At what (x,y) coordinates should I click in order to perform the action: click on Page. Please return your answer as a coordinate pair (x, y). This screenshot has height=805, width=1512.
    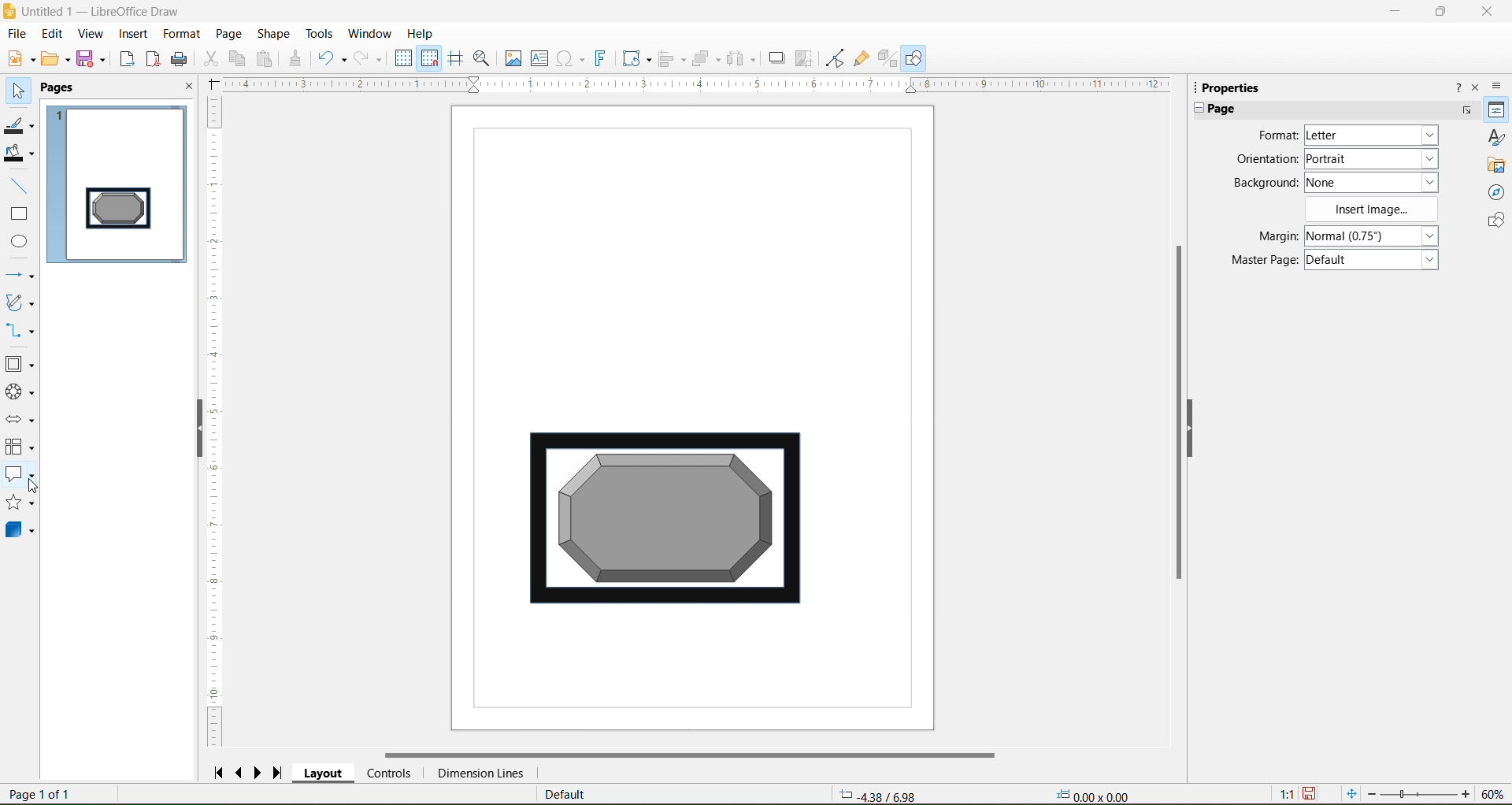
    Looking at the image, I should click on (682, 417).